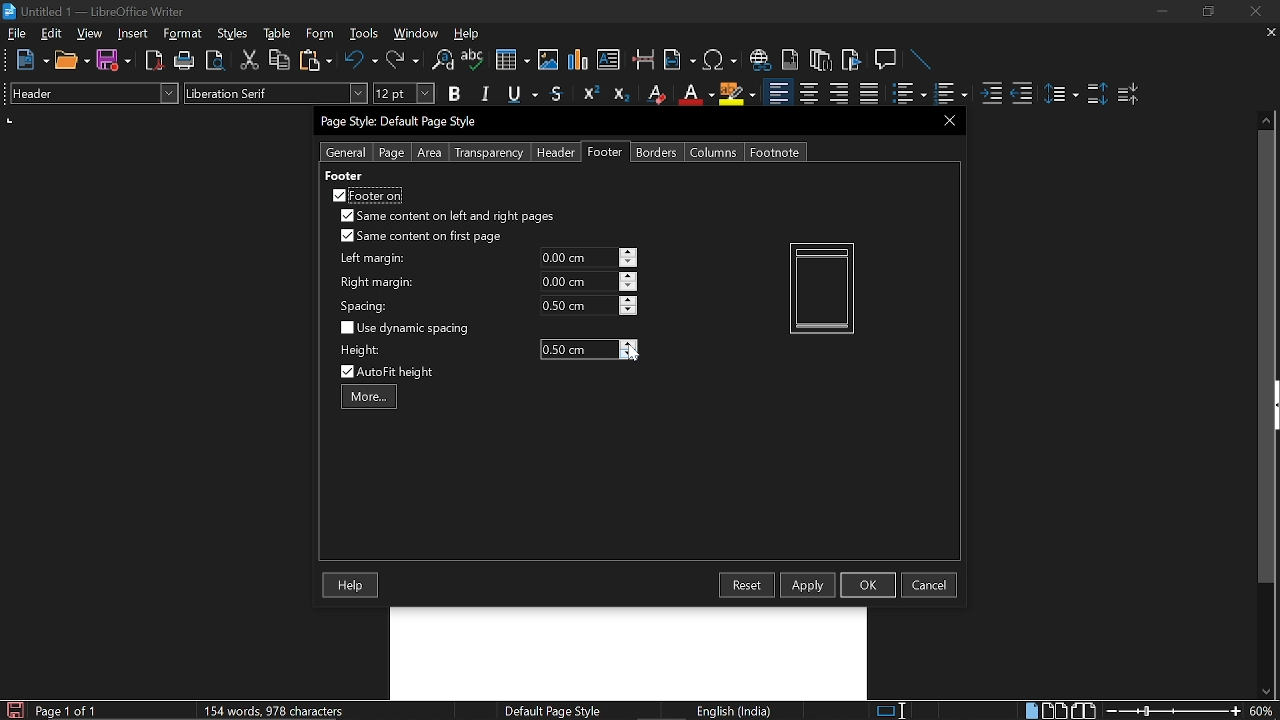 The image size is (1280, 720). I want to click on current page Current page, so click(65, 710).